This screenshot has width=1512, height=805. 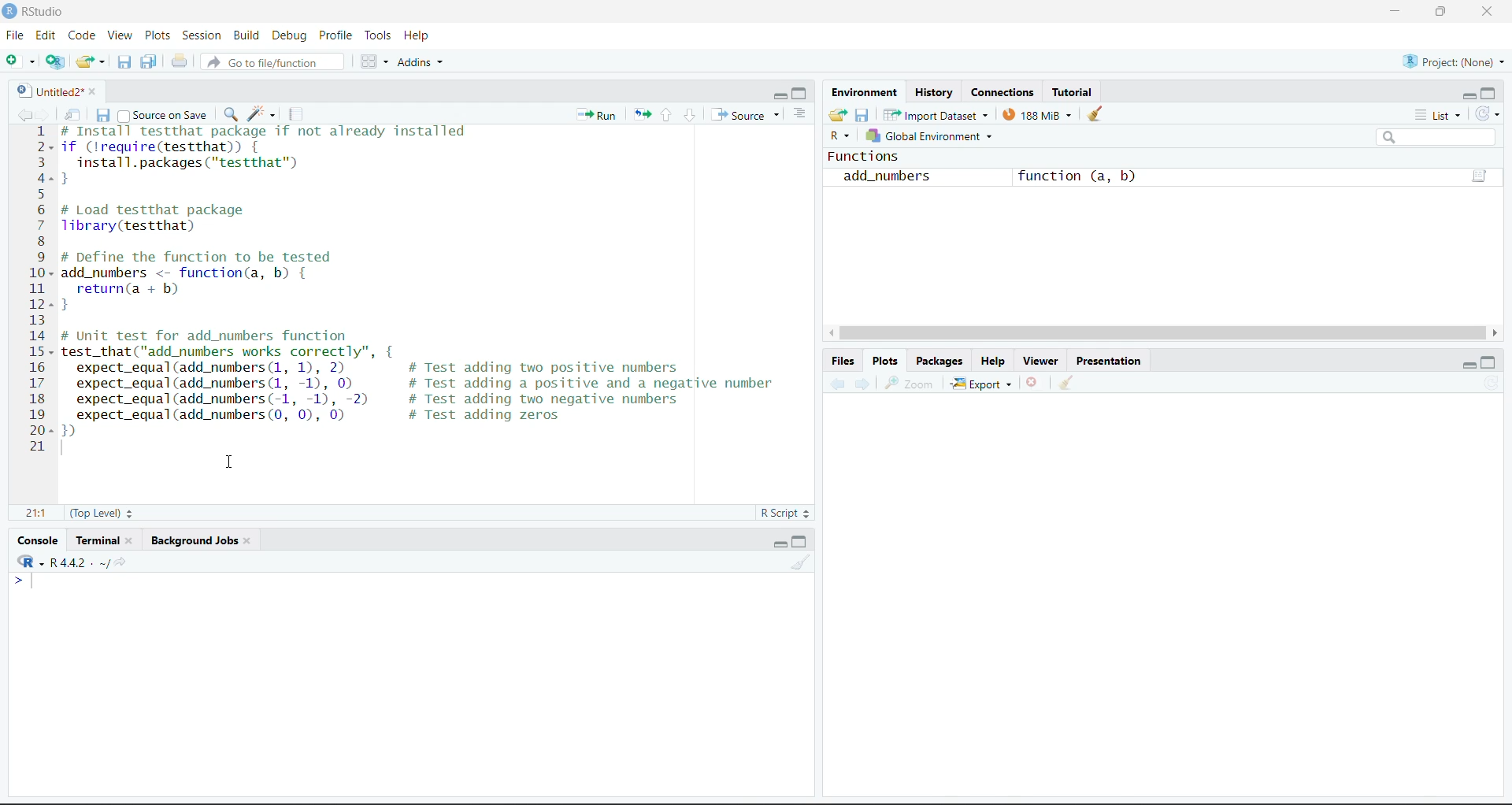 What do you see at coordinates (931, 91) in the screenshot?
I see `History` at bounding box center [931, 91].